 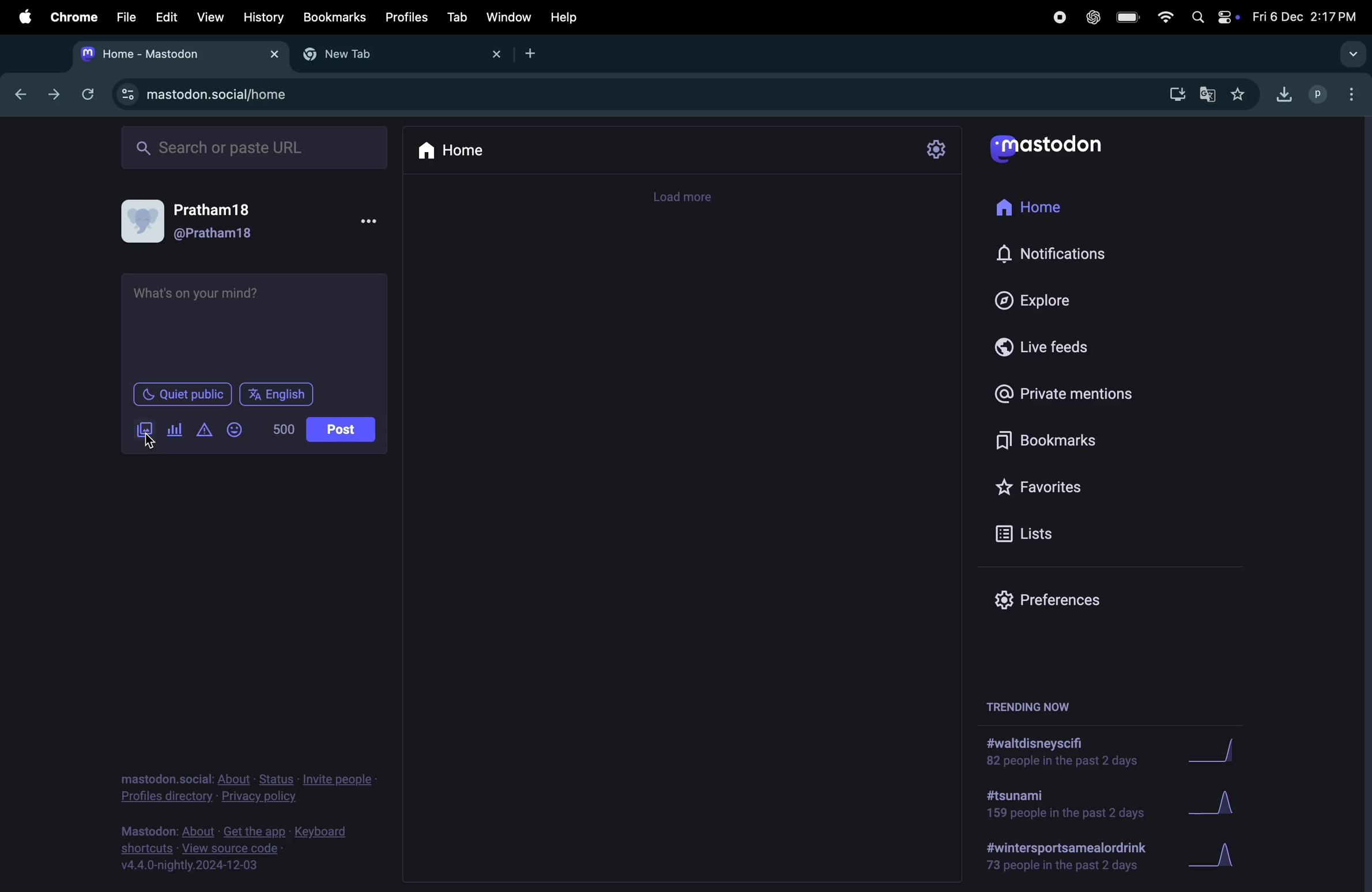 What do you see at coordinates (72, 17) in the screenshot?
I see `chrome` at bounding box center [72, 17].